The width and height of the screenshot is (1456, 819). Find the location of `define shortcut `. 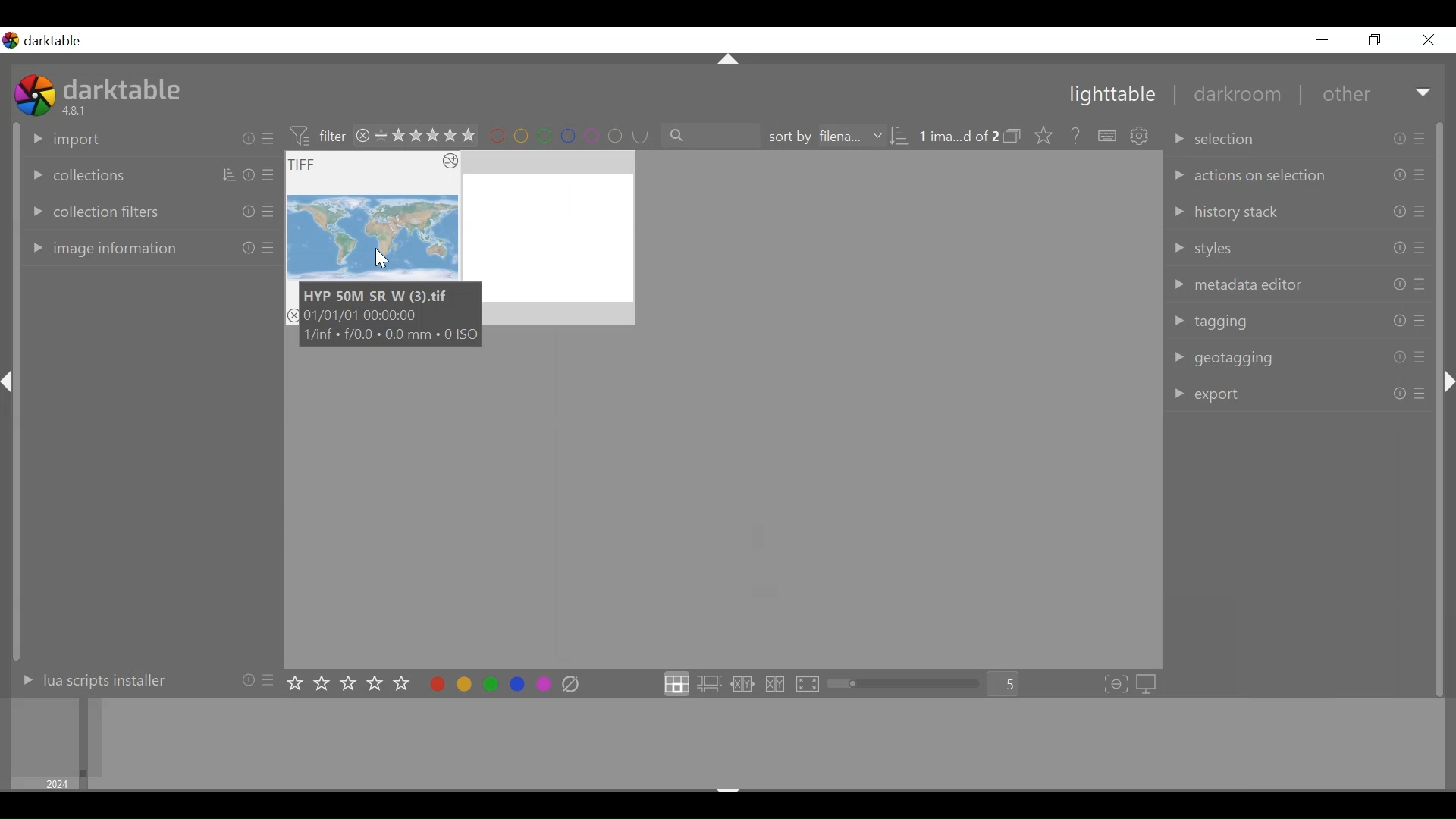

define shortcut  is located at coordinates (1105, 136).